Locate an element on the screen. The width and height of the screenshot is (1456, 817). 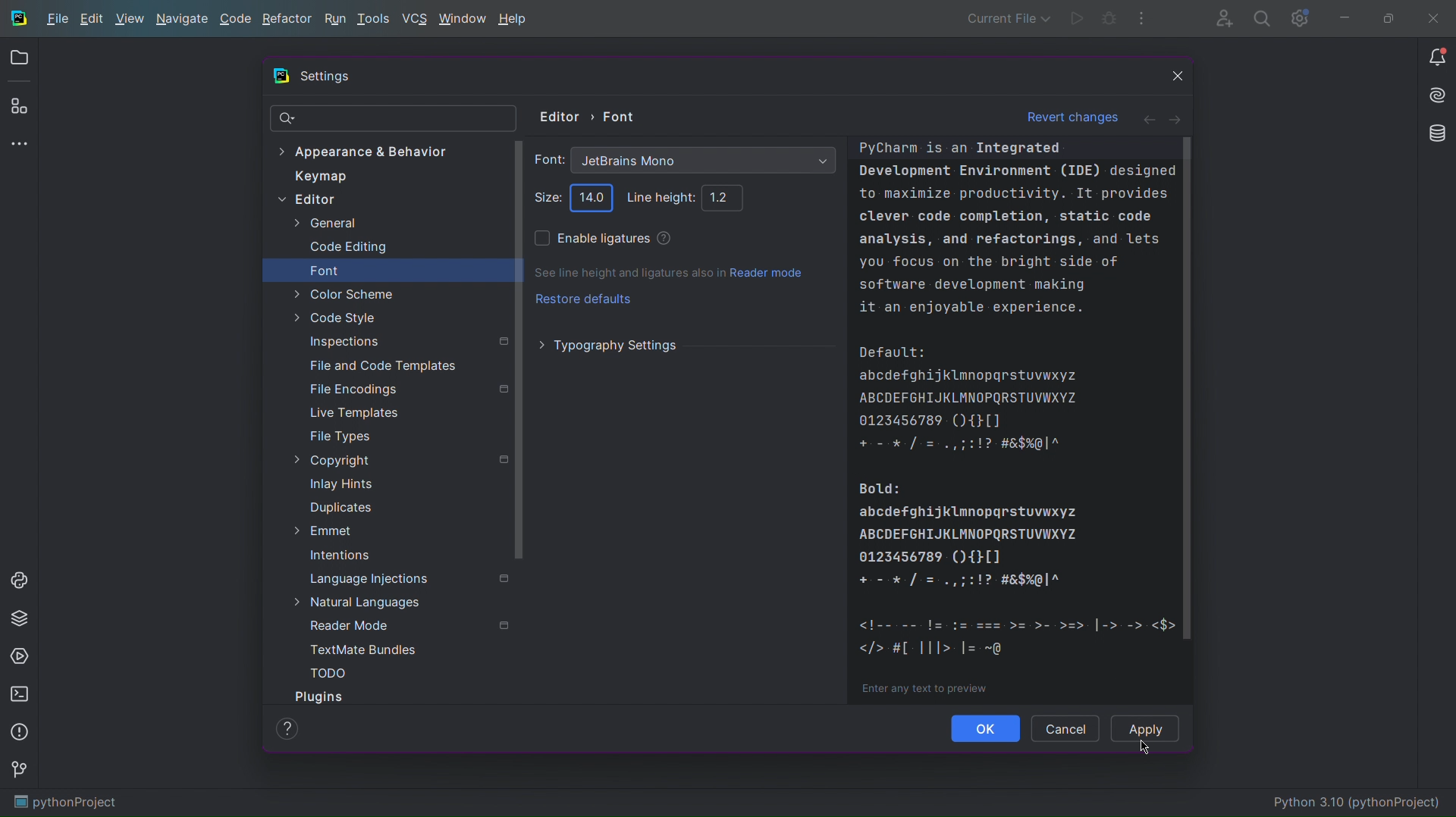
Inlay Hints is located at coordinates (335, 482).